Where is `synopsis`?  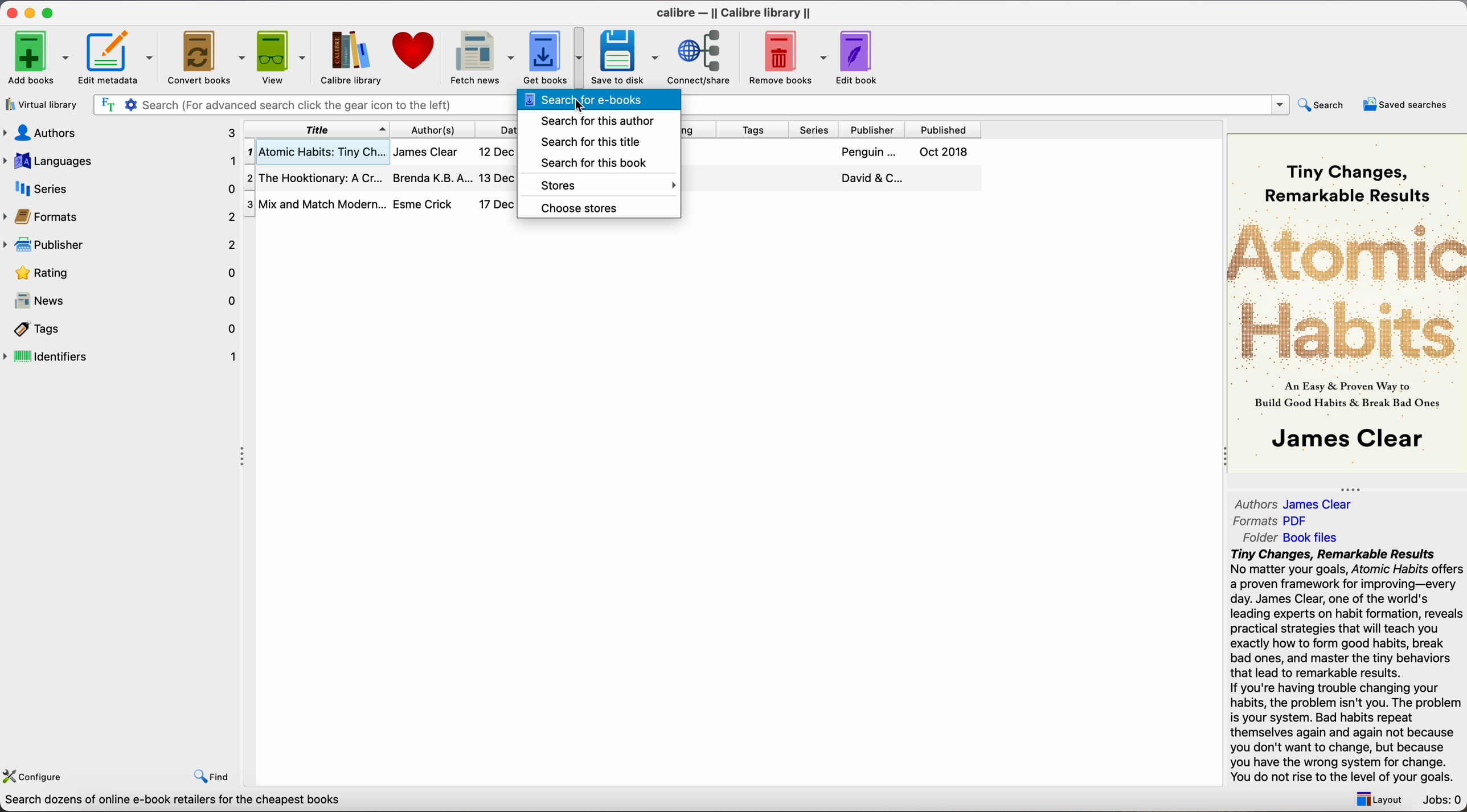 synopsis is located at coordinates (1349, 666).